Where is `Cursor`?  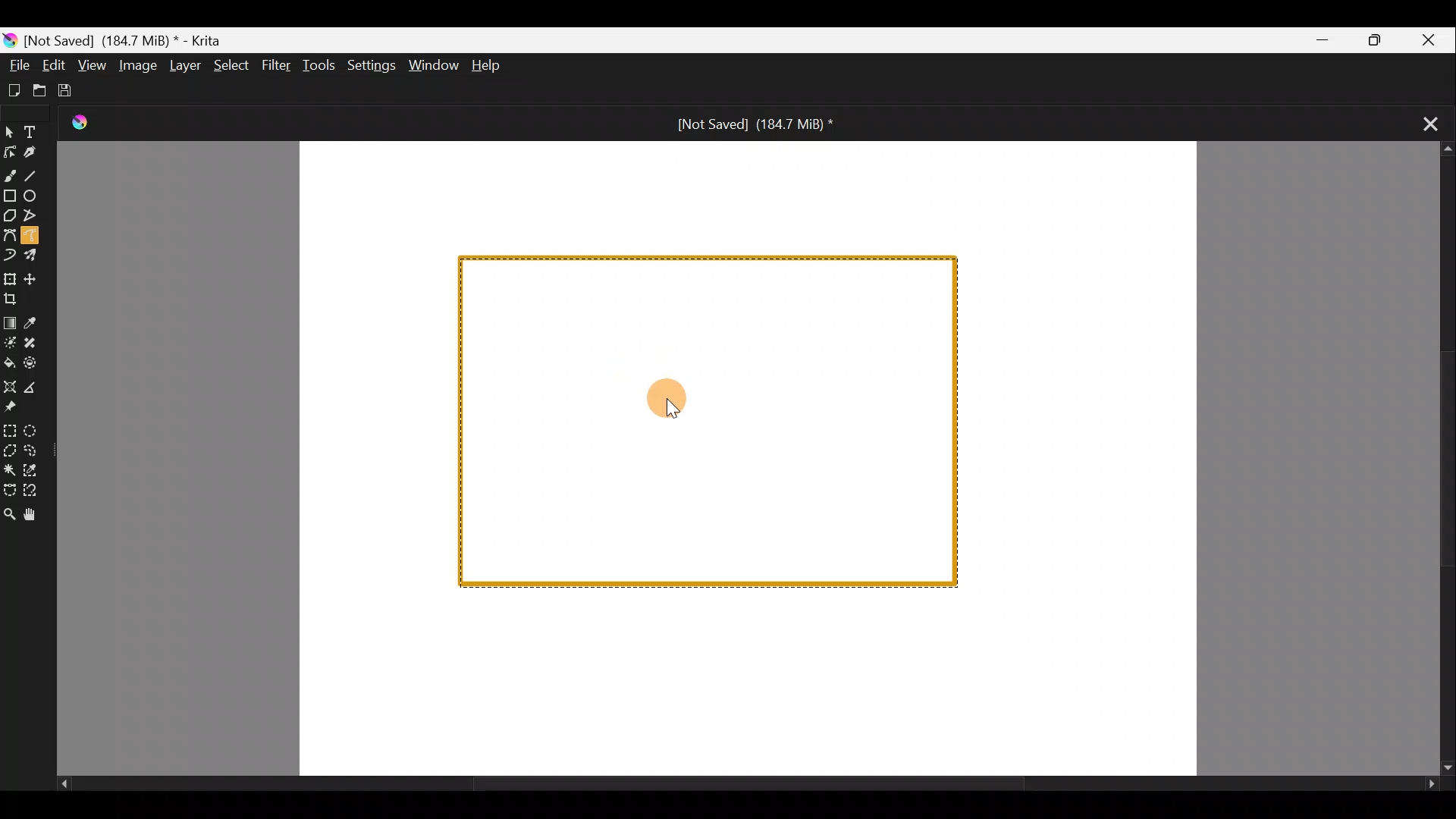 Cursor is located at coordinates (664, 398).